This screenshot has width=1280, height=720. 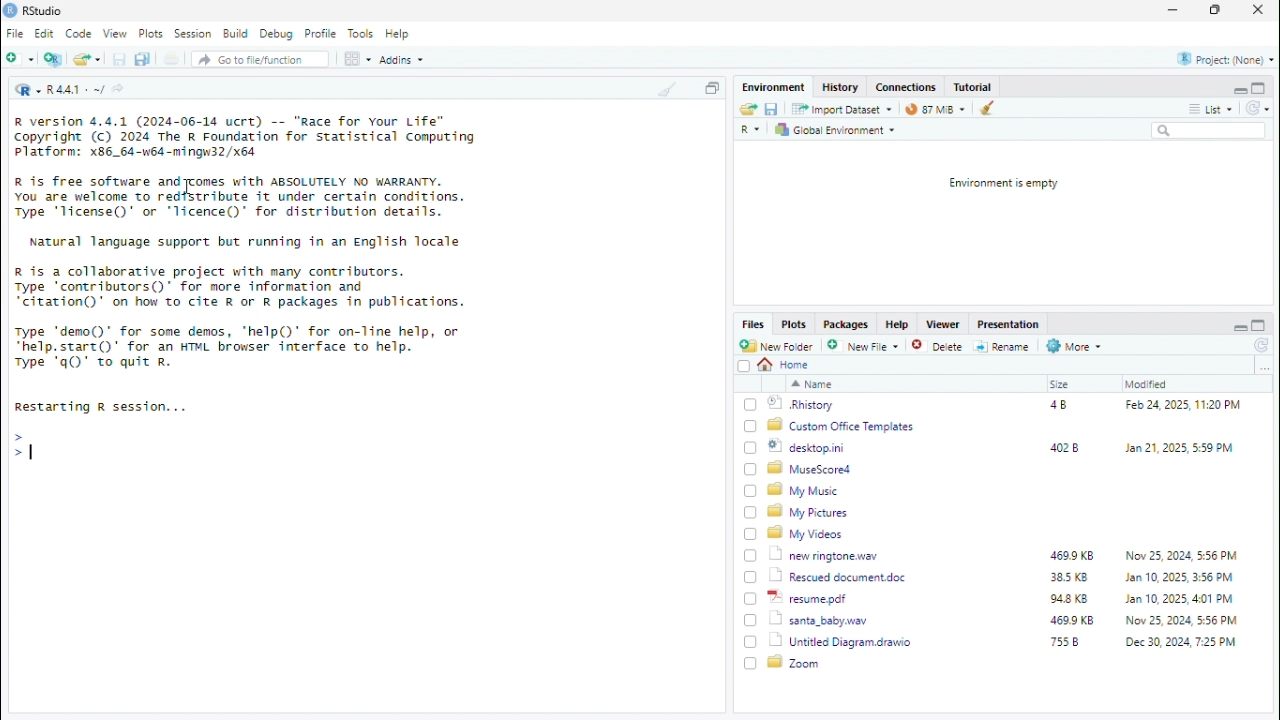 I want to click on Connections, so click(x=907, y=86).